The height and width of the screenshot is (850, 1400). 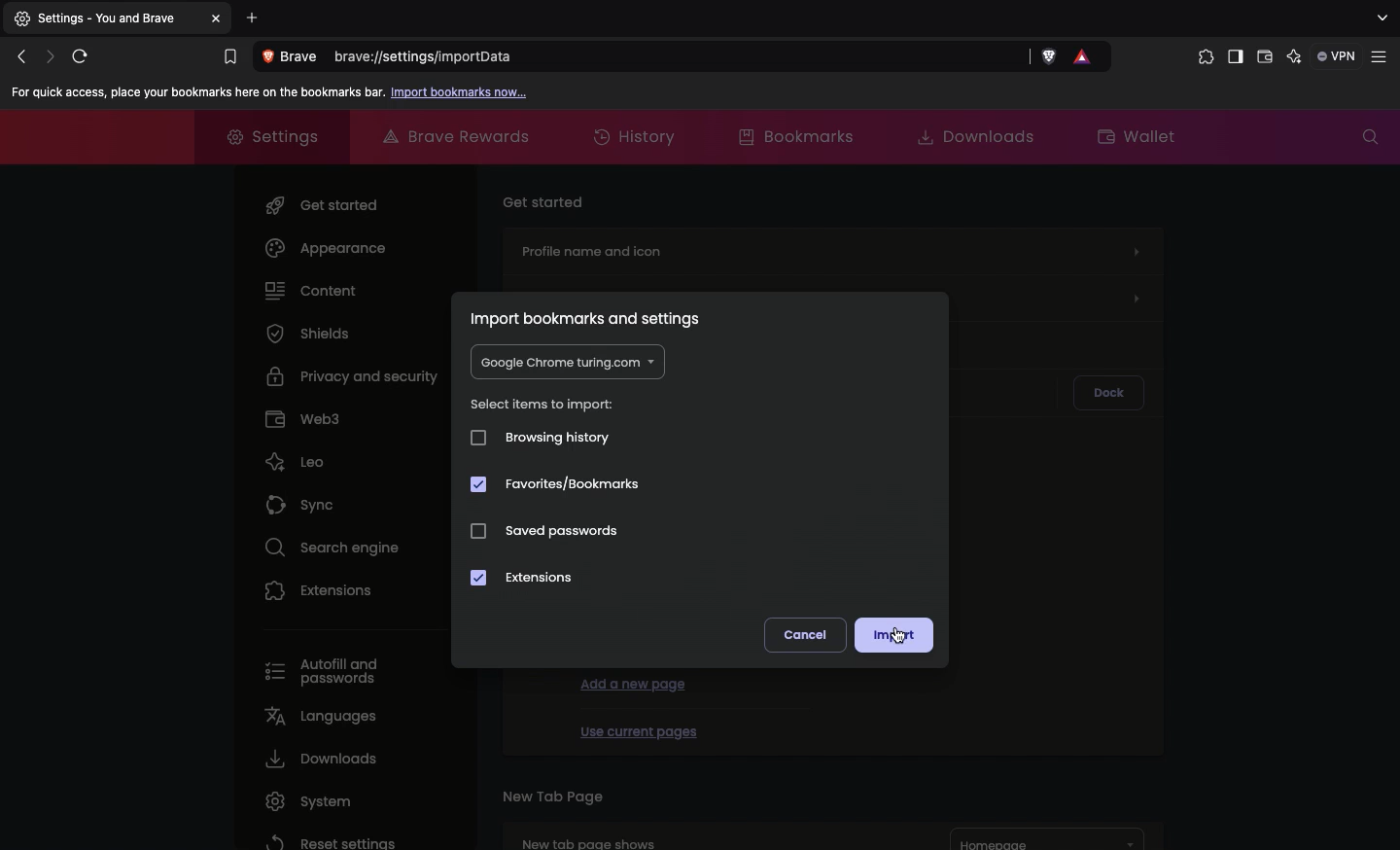 What do you see at coordinates (253, 18) in the screenshot?
I see `Add new tab` at bounding box center [253, 18].